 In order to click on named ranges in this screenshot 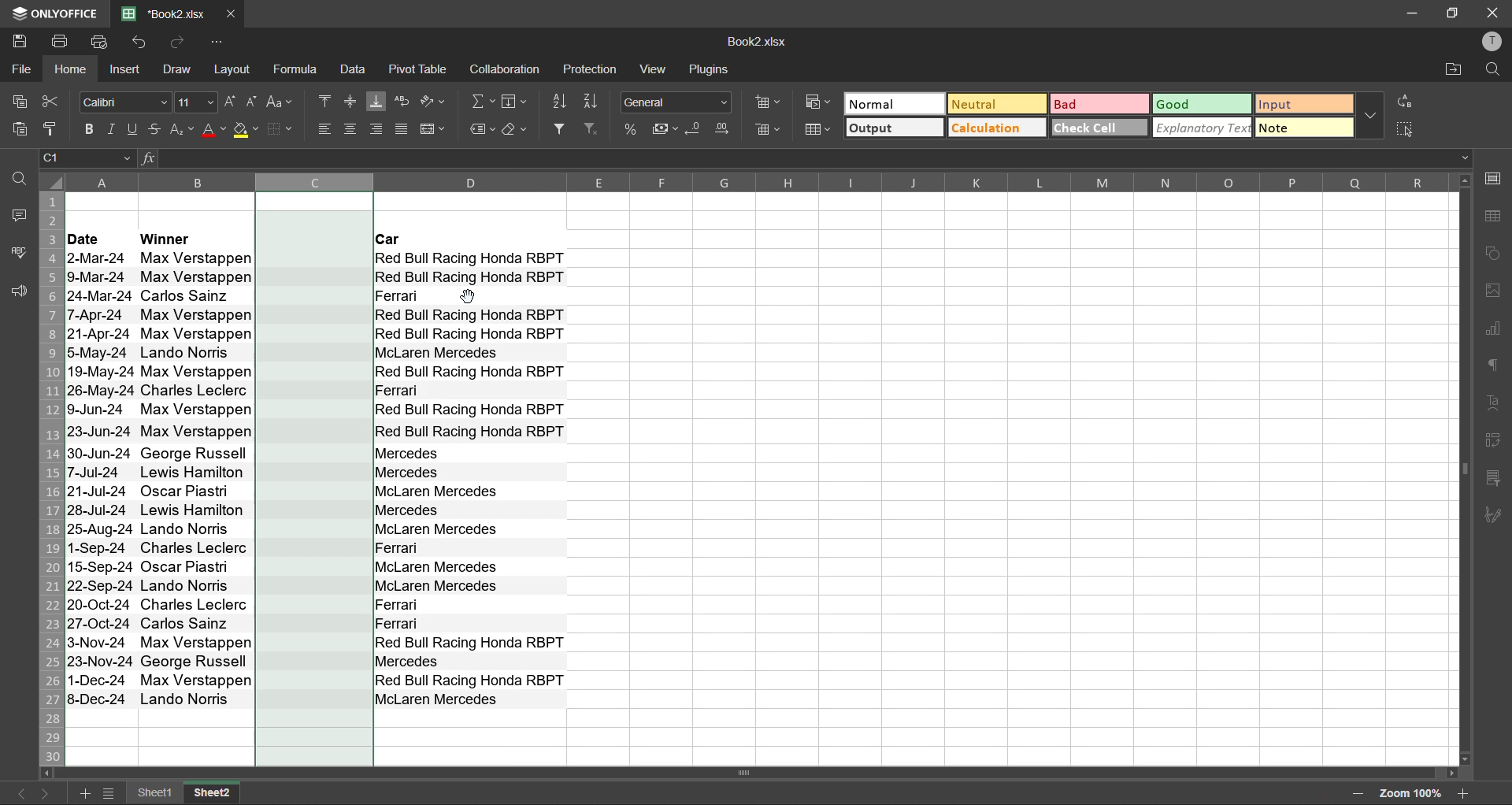, I will do `click(482, 129)`.